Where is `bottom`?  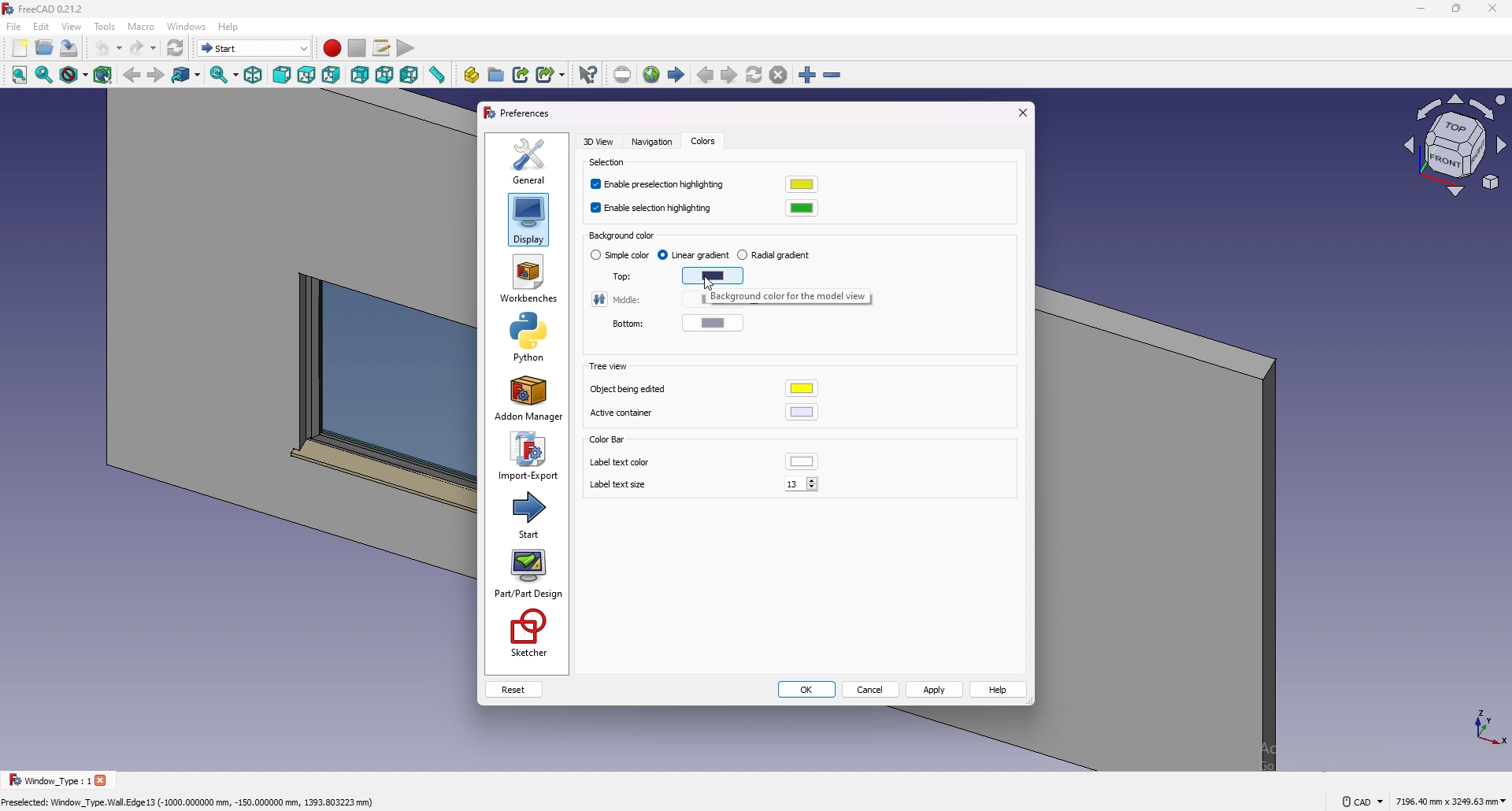 bottom is located at coordinates (385, 76).